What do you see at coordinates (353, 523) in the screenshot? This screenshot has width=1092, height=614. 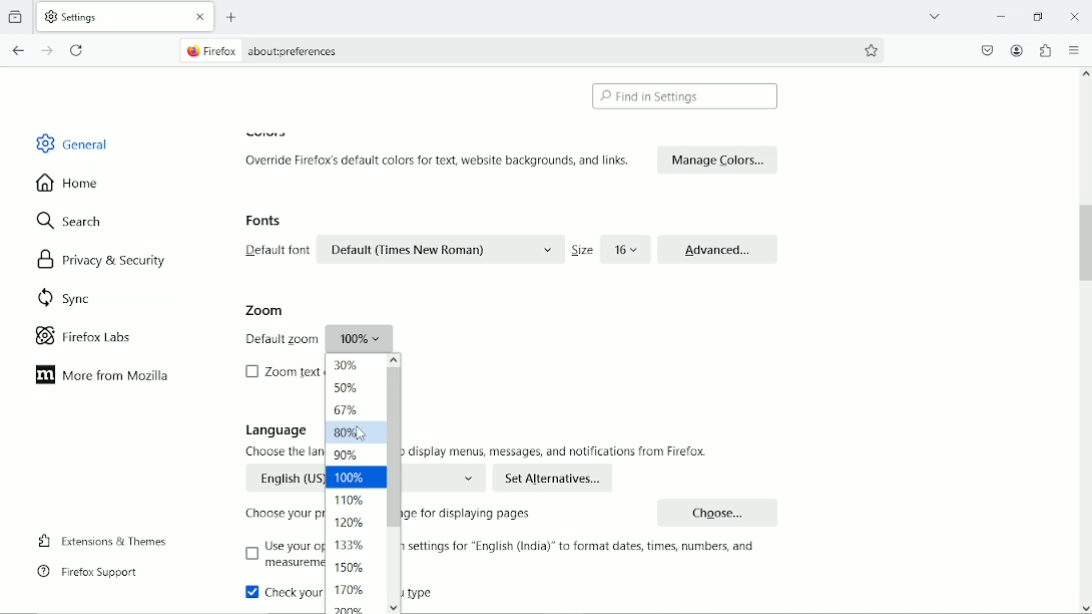 I see `120%` at bounding box center [353, 523].